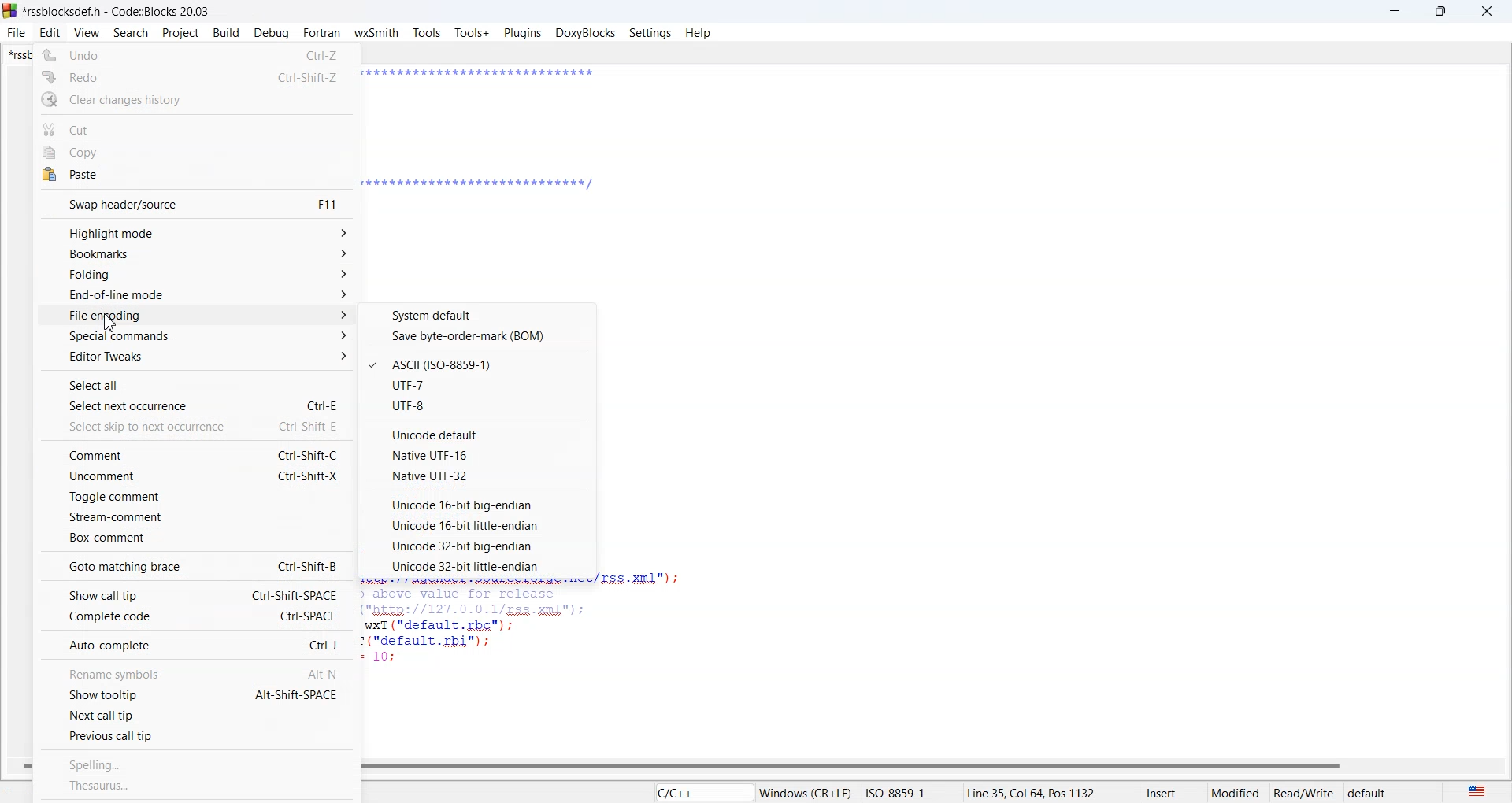  What do you see at coordinates (1442, 11) in the screenshot?
I see `Maximize` at bounding box center [1442, 11].